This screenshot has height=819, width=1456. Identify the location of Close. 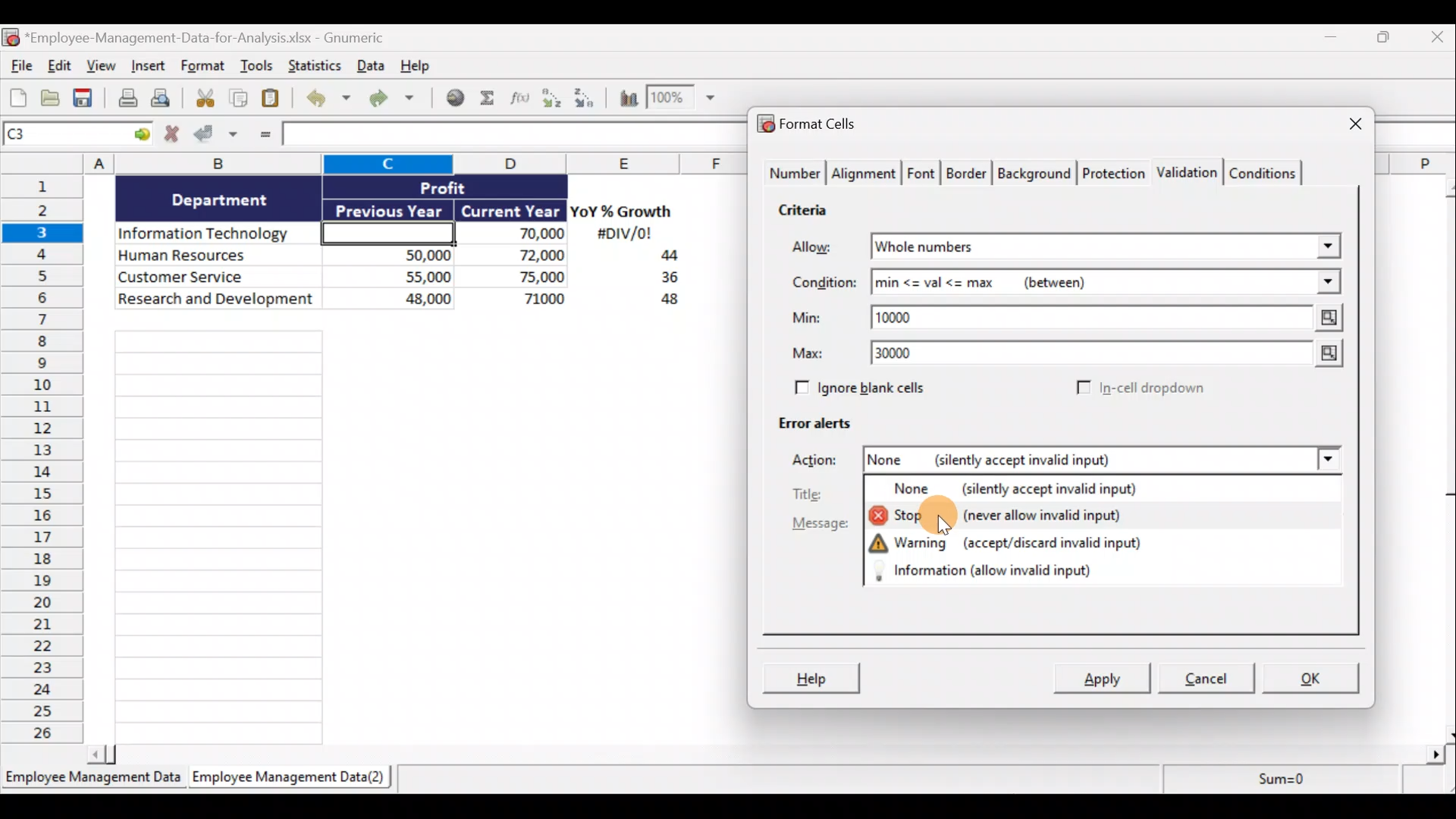
(1434, 40).